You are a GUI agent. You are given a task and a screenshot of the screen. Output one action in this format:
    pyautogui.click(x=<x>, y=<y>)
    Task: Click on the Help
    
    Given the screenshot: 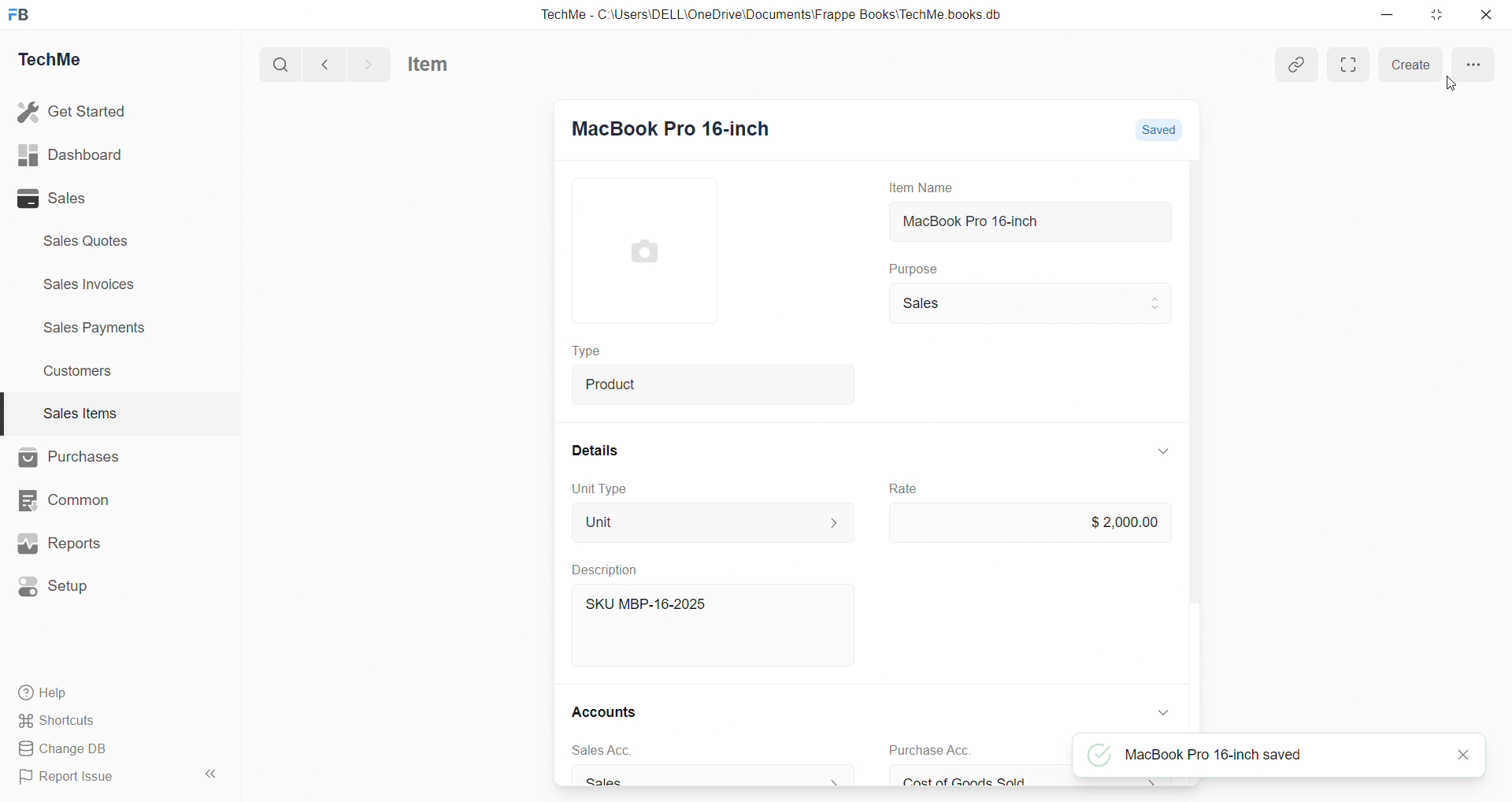 What is the action you would take?
    pyautogui.click(x=45, y=693)
    